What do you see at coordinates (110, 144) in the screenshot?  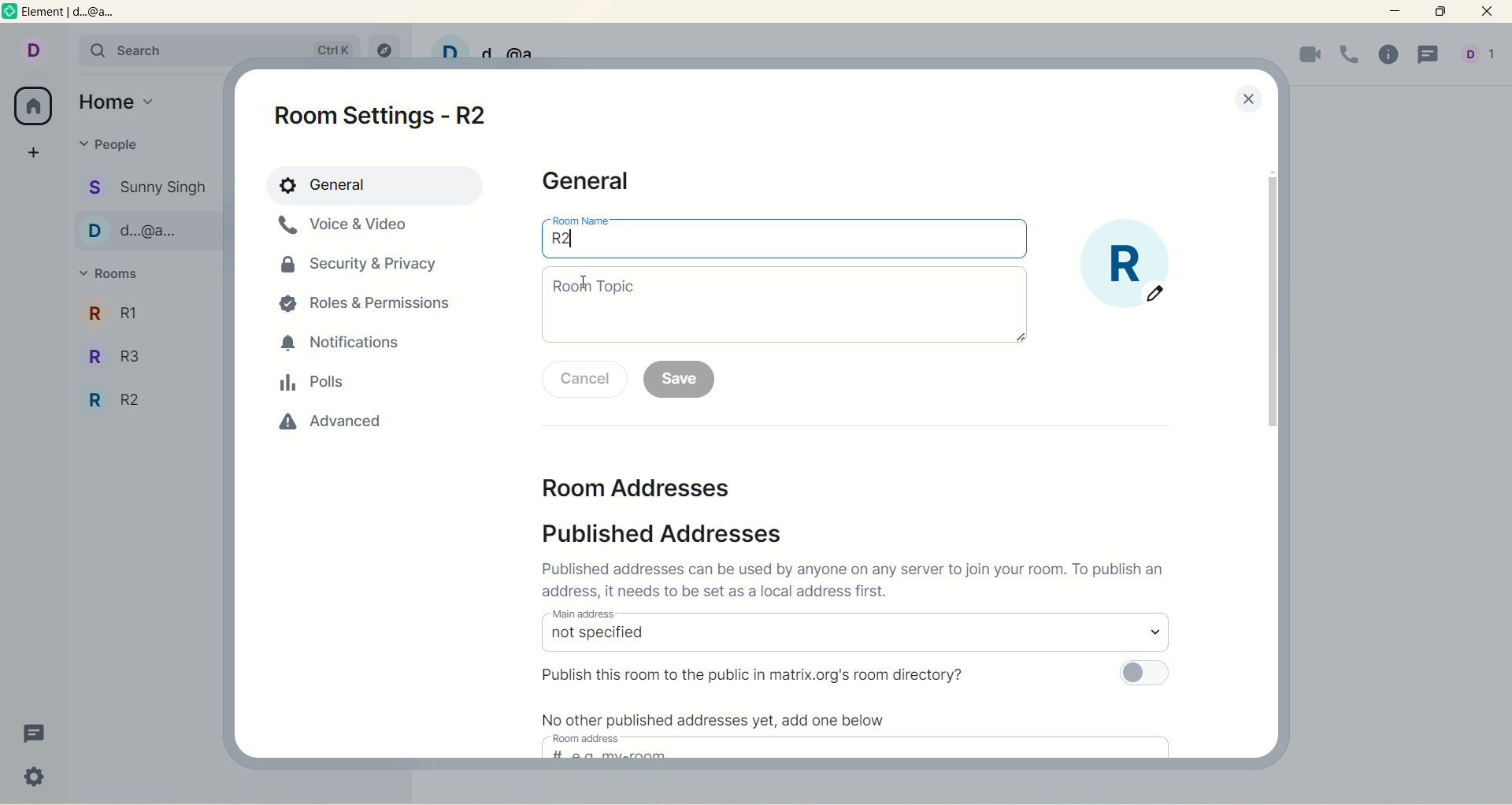 I see `people` at bounding box center [110, 144].